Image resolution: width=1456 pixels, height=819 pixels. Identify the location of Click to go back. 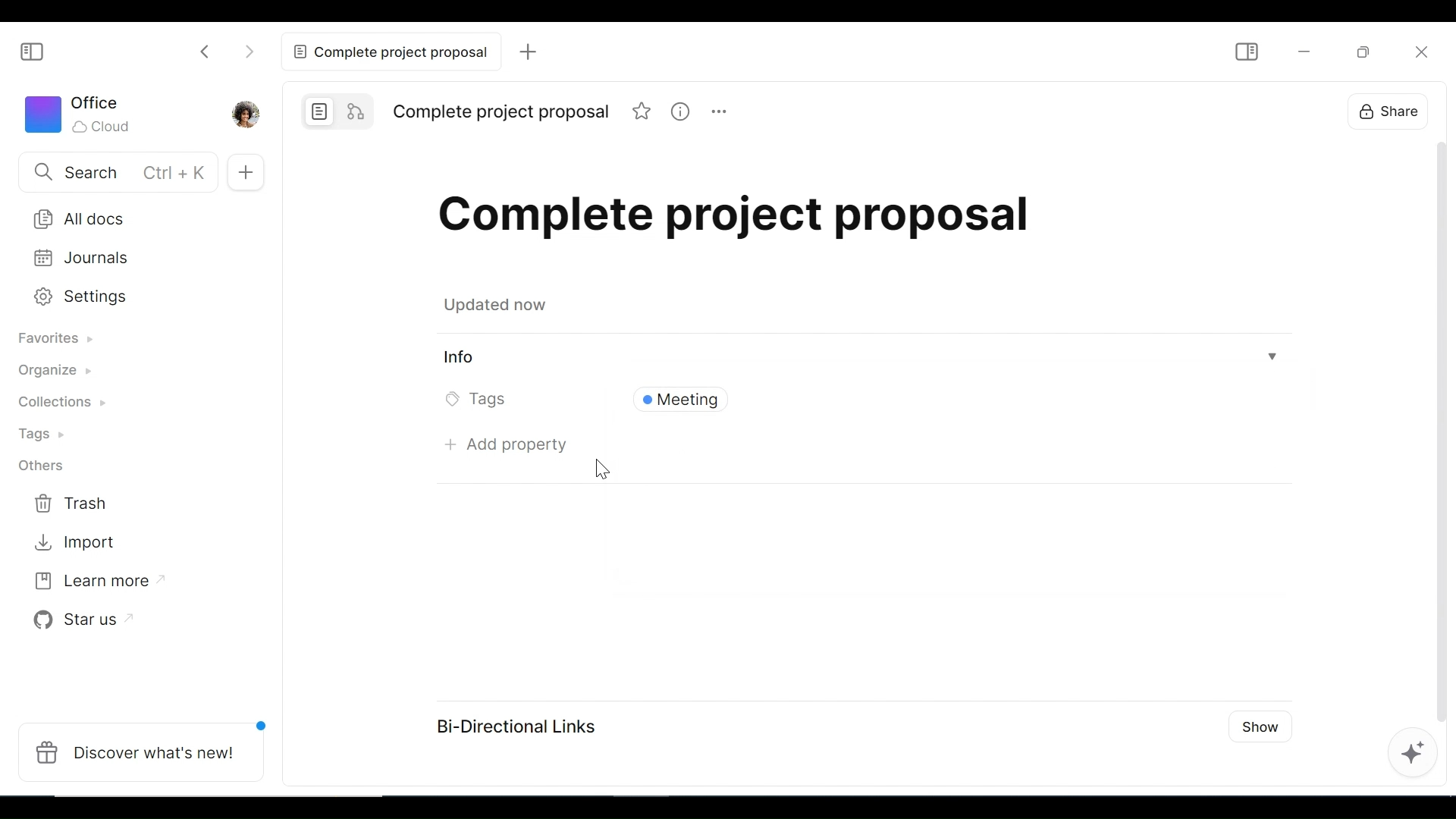
(199, 52).